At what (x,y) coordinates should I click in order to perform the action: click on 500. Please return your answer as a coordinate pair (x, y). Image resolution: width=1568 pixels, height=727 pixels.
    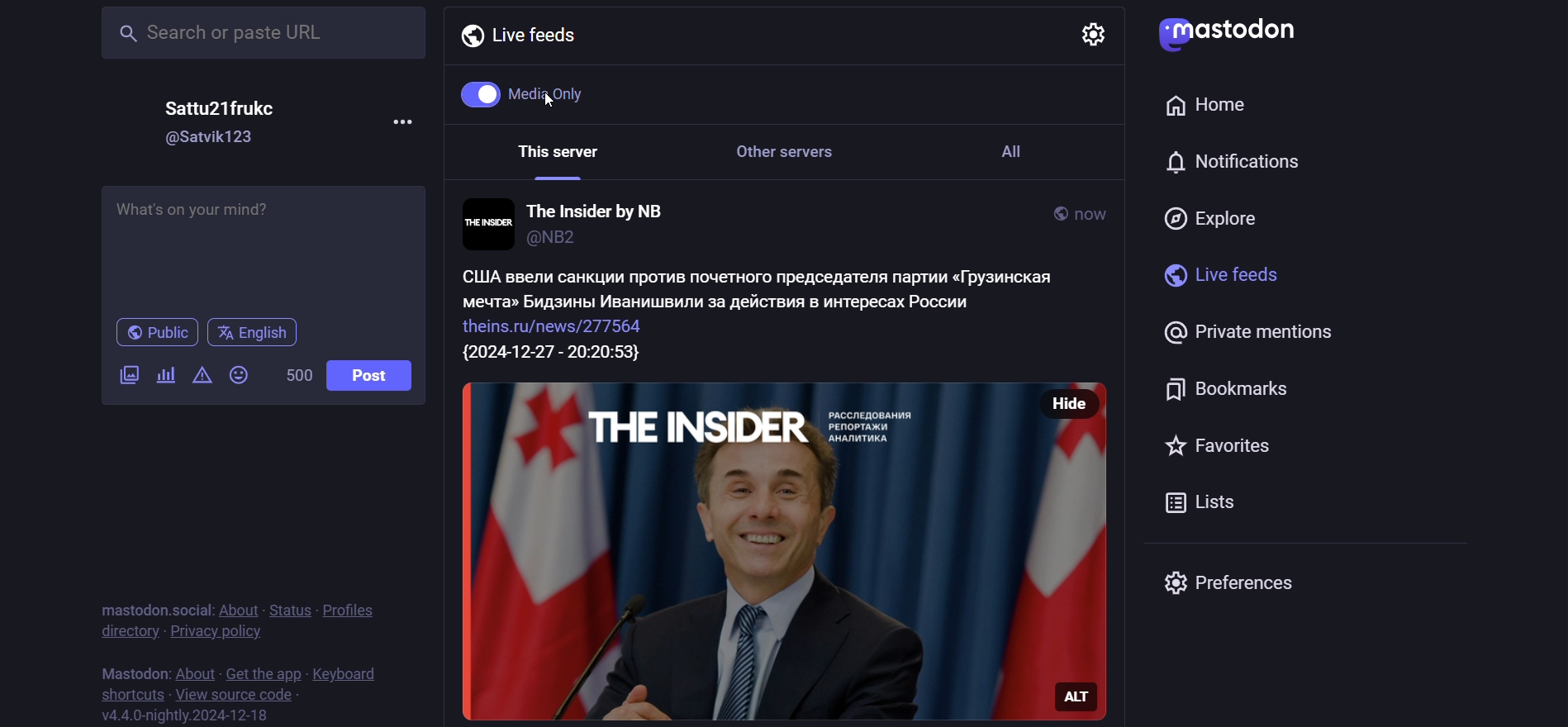
    Looking at the image, I should click on (295, 374).